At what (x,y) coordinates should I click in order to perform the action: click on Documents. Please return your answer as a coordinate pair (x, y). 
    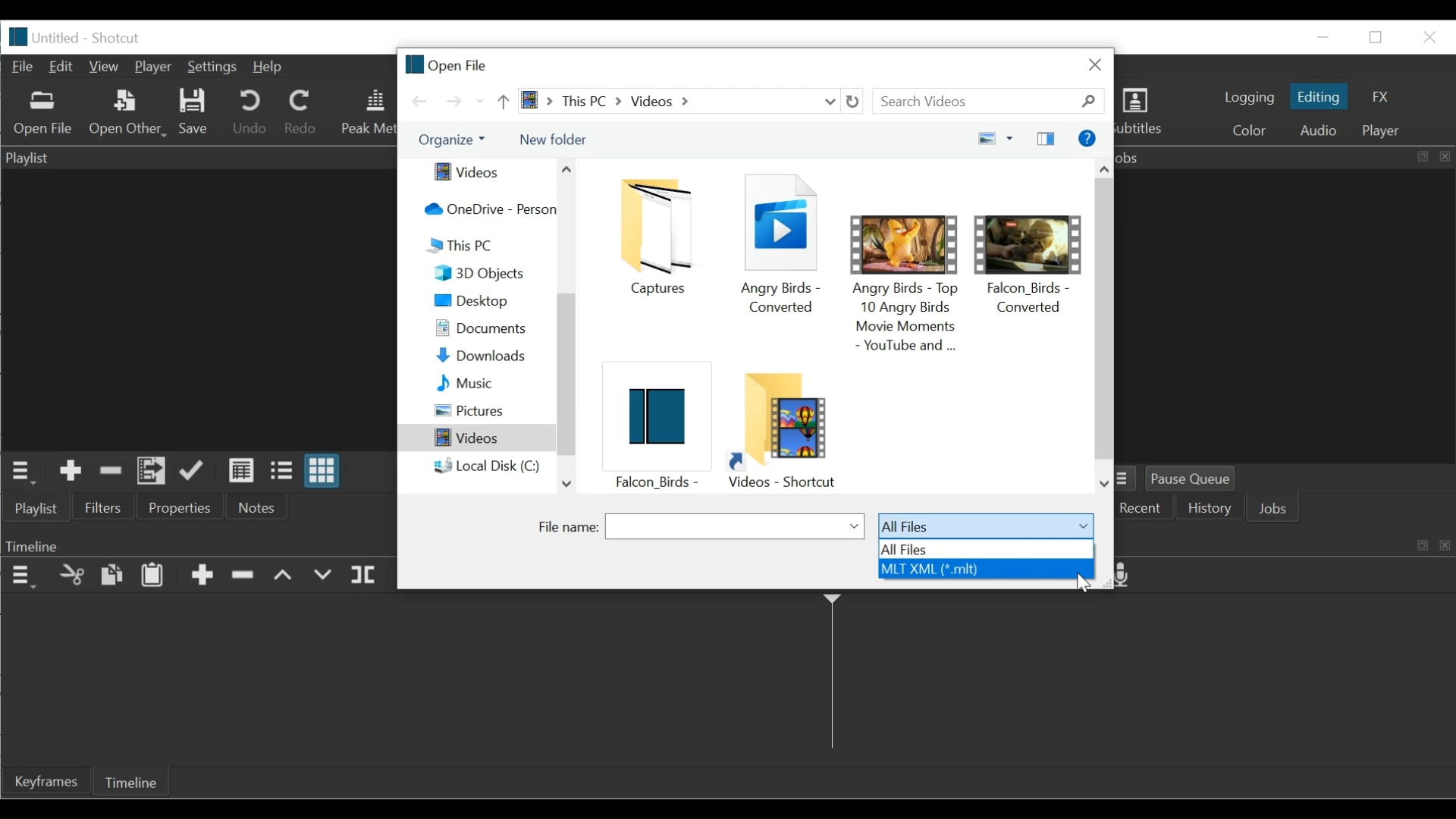
    Looking at the image, I should click on (491, 330).